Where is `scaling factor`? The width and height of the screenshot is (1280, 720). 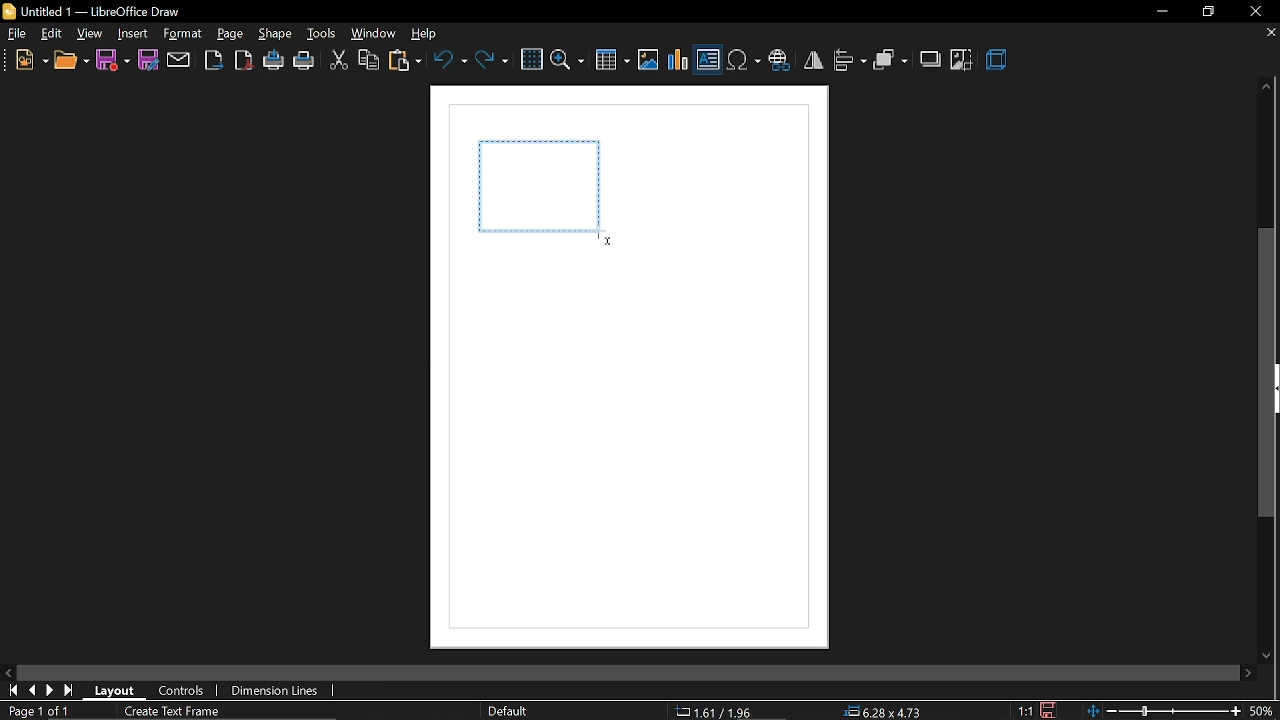
scaling factor is located at coordinates (1026, 711).